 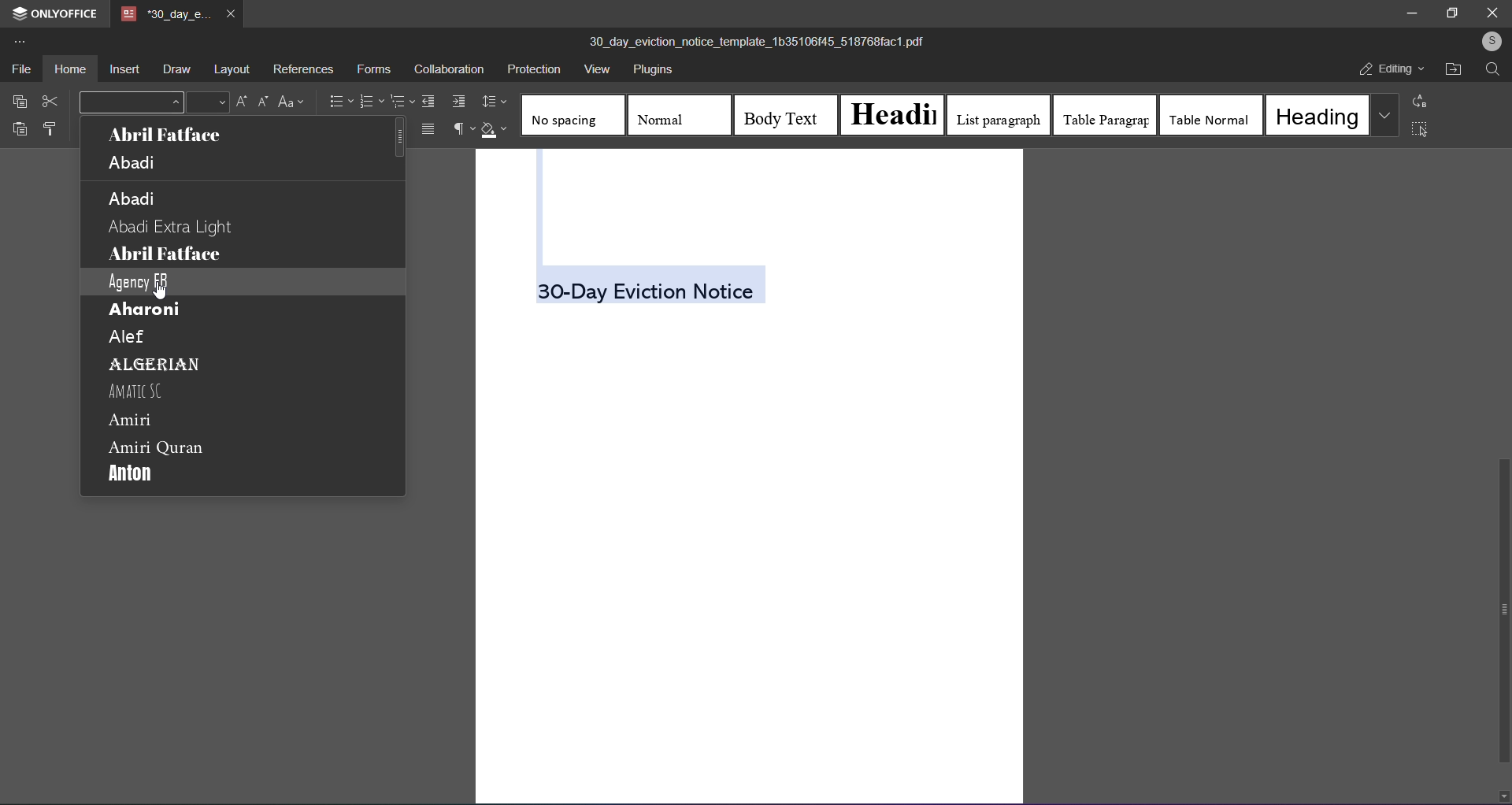 I want to click on (title) 30_day_eviction_notice_template_1b35106/45_518768fact.pdf, so click(x=765, y=42).